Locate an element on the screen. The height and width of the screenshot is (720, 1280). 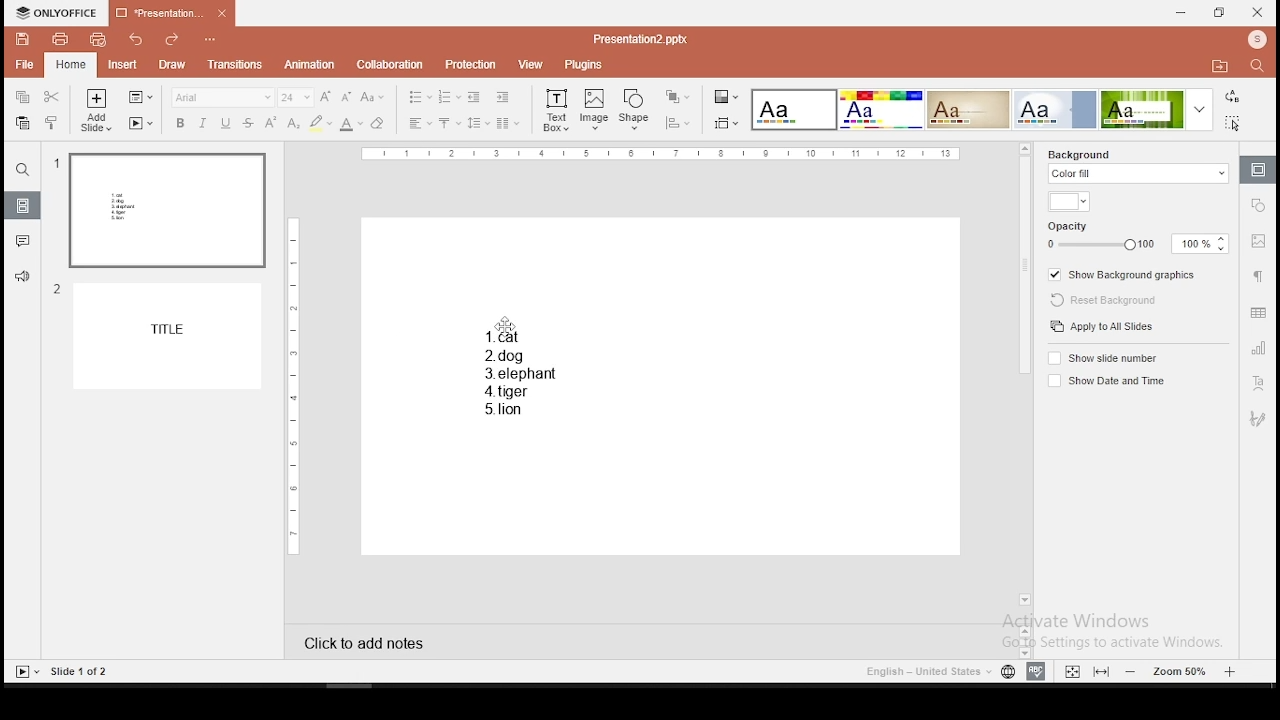
text art tool is located at coordinates (1260, 386).